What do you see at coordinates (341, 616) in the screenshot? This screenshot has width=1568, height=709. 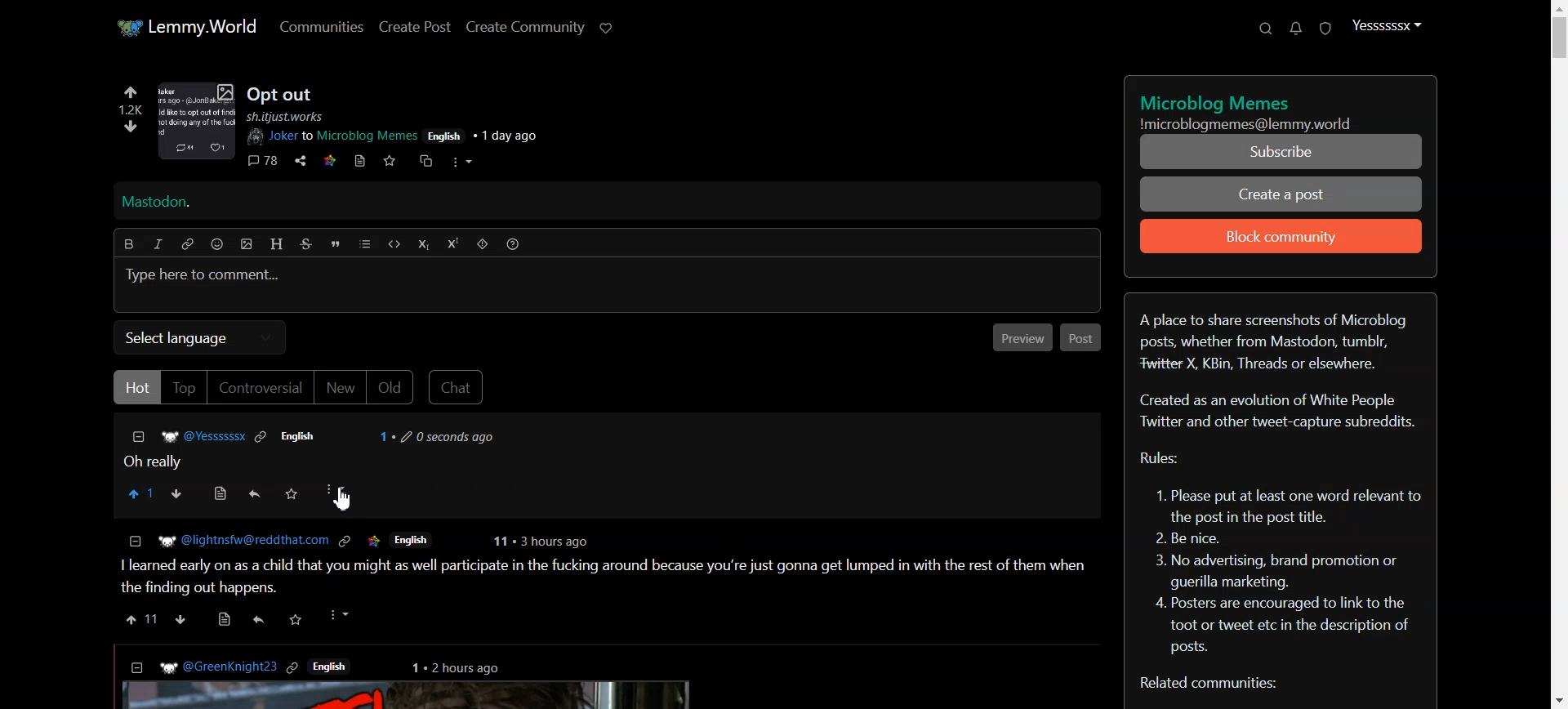 I see `more` at bounding box center [341, 616].